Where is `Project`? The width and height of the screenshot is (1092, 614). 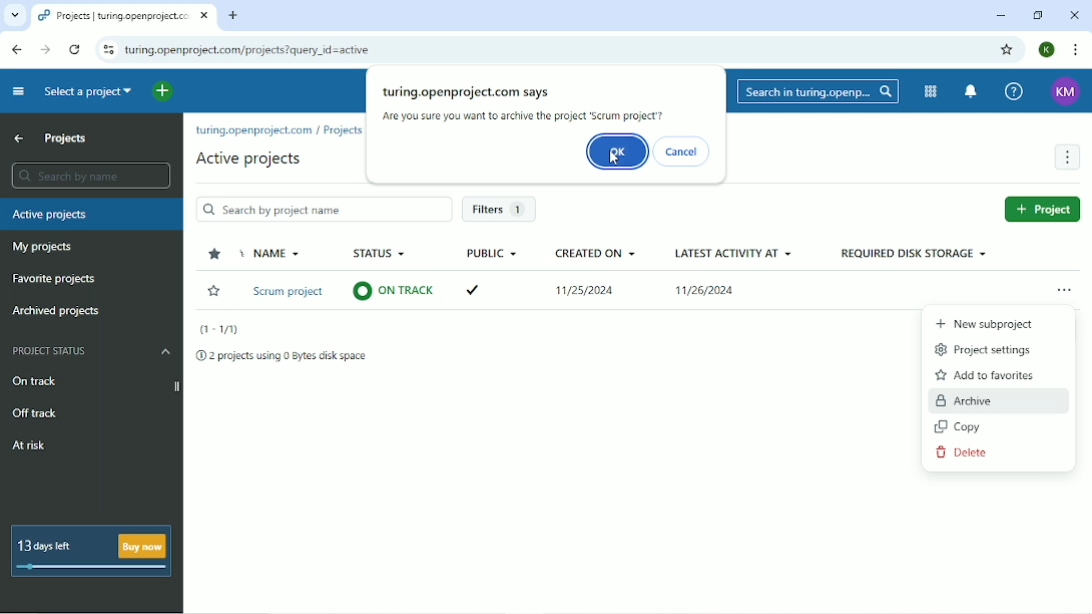
Project is located at coordinates (1042, 208).